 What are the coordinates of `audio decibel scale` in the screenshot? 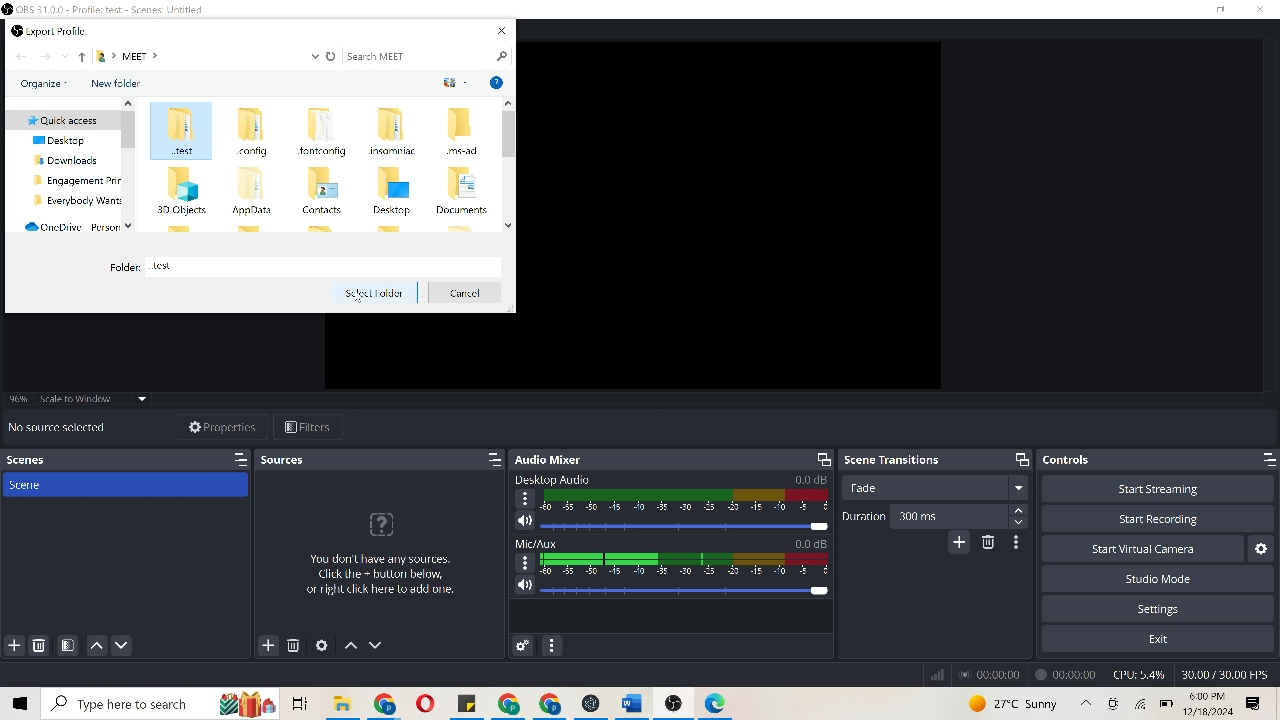 It's located at (684, 501).